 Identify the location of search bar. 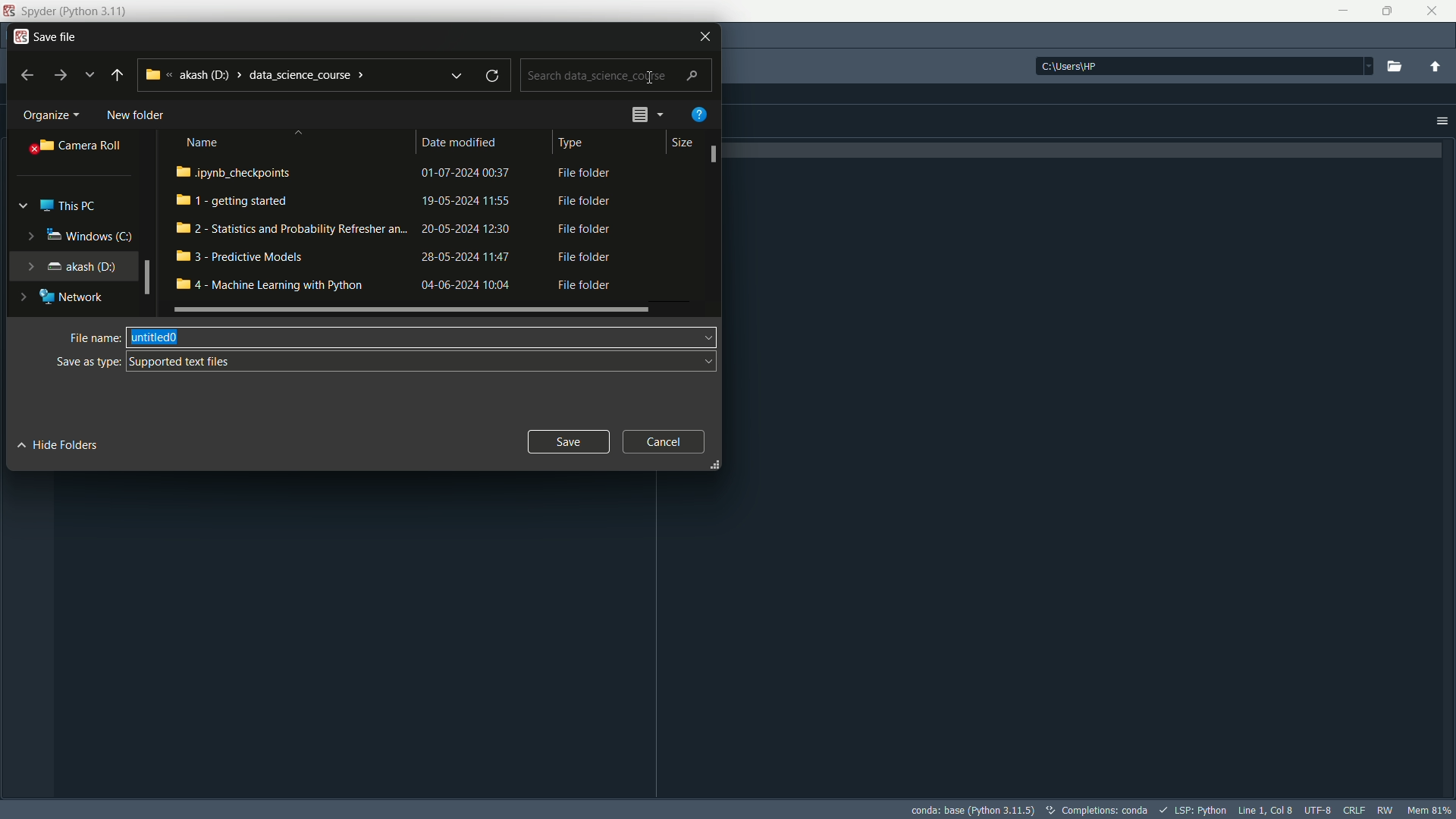
(611, 75).